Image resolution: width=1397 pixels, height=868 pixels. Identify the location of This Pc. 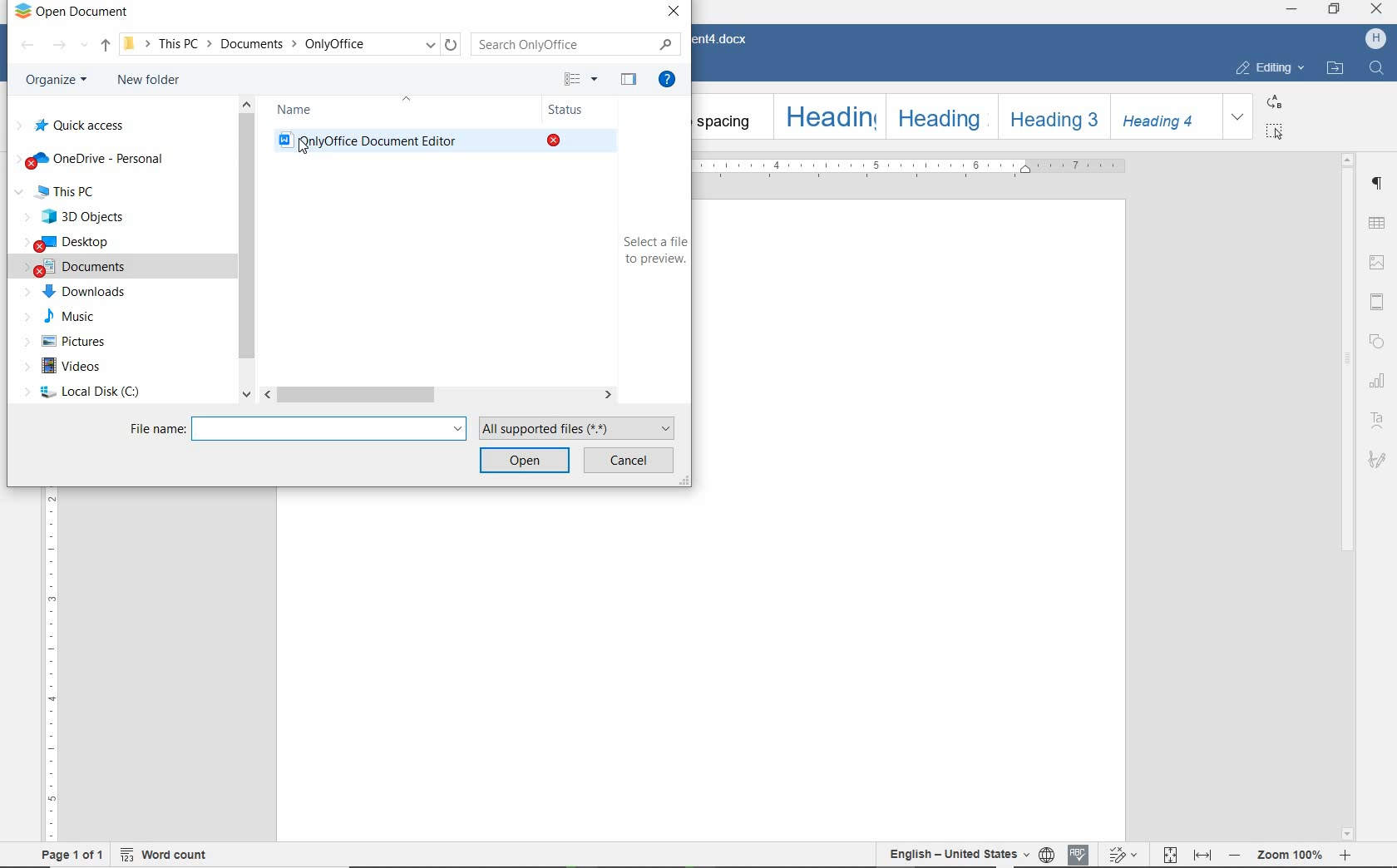
(67, 192).